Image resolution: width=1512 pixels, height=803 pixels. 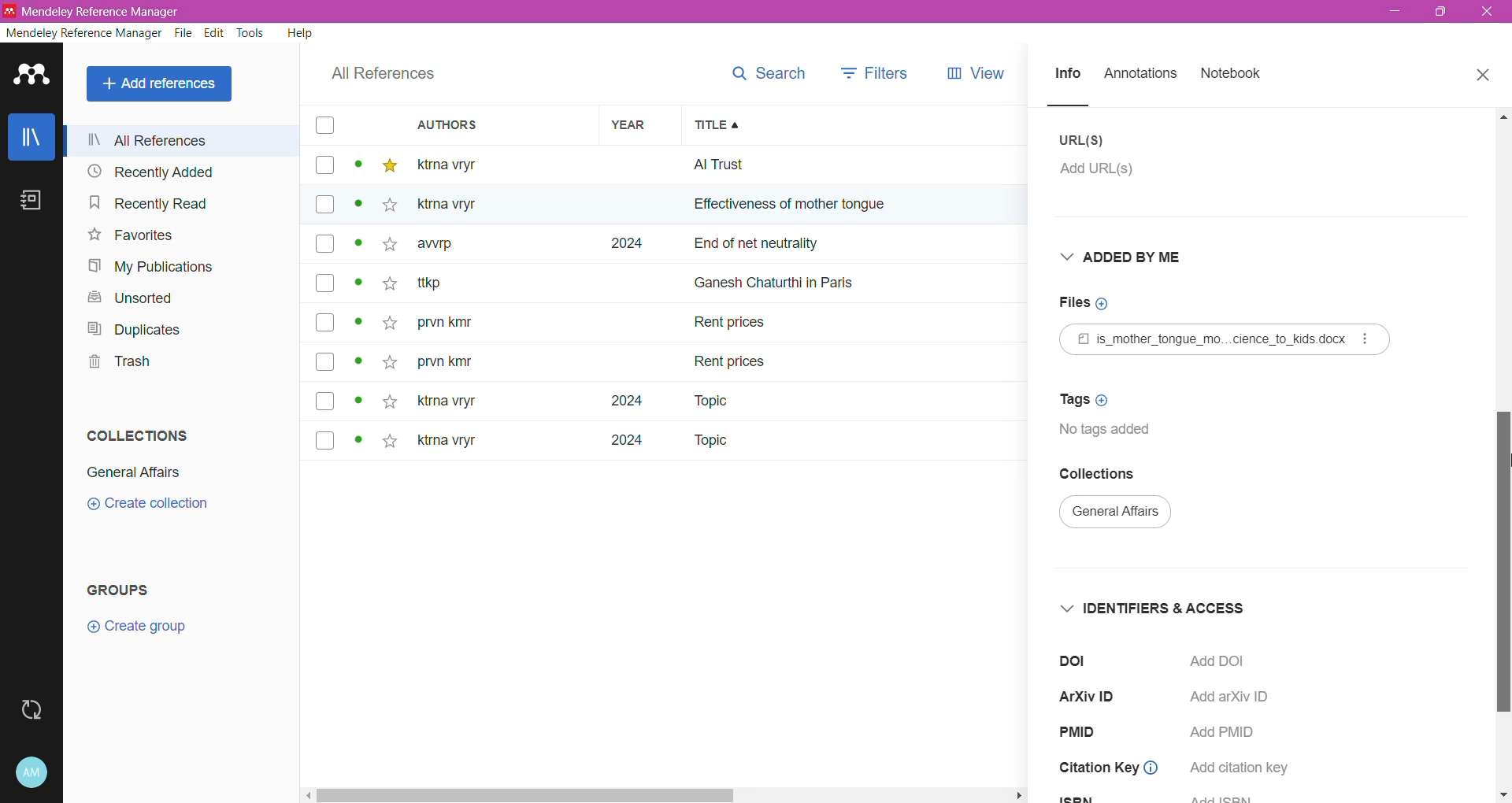 I want to click on star, so click(x=390, y=400).